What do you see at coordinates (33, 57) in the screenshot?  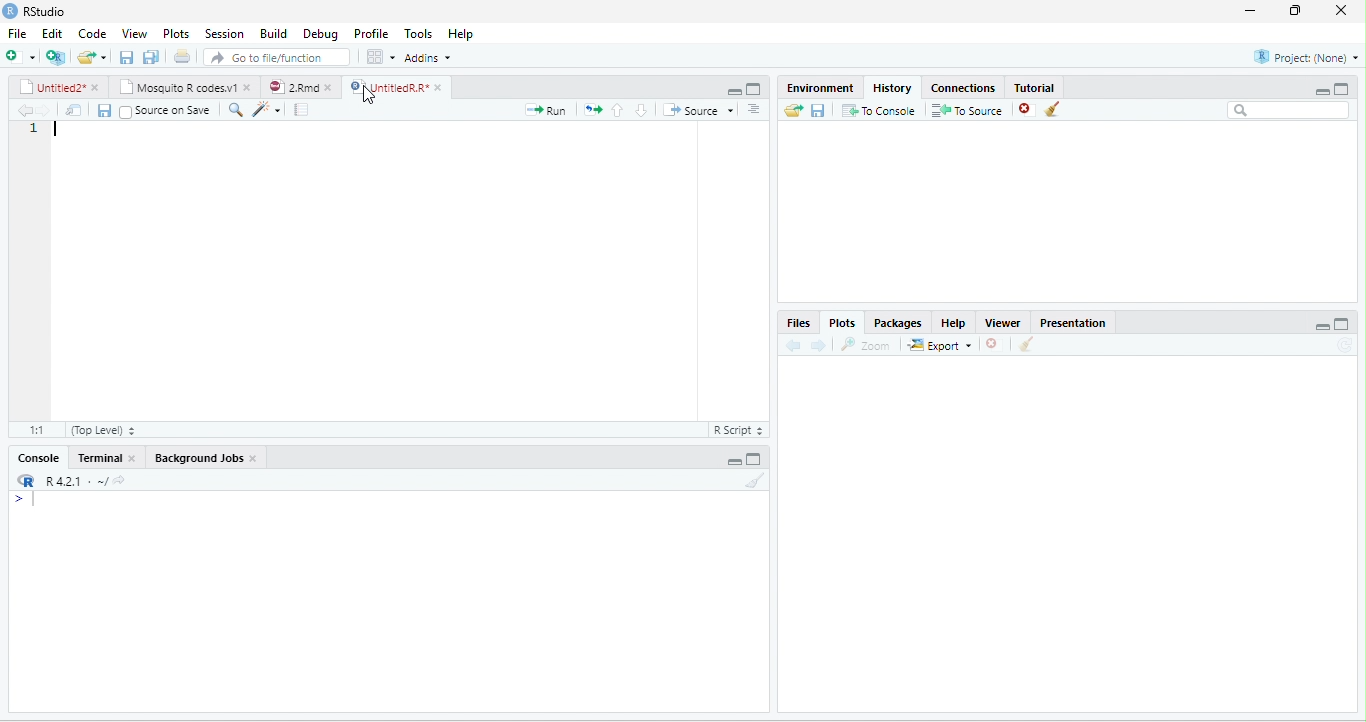 I see `add file` at bounding box center [33, 57].